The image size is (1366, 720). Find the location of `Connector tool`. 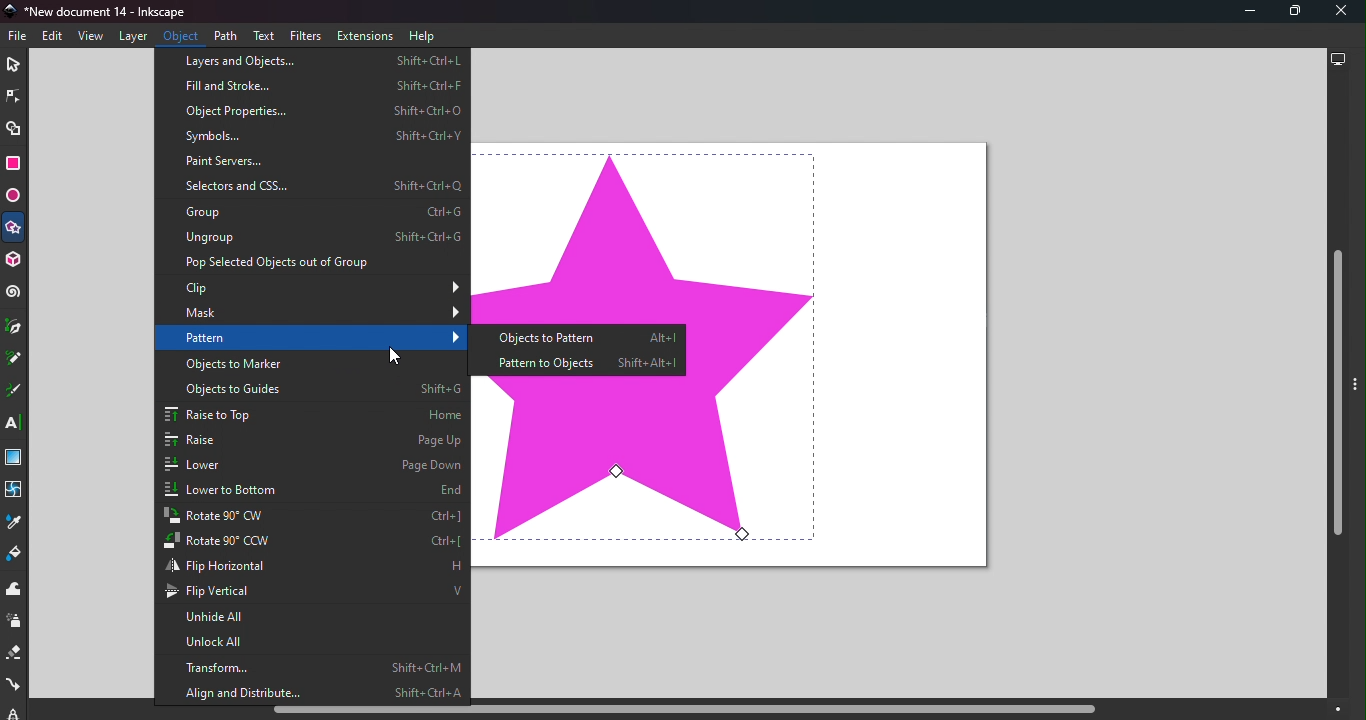

Connector tool is located at coordinates (13, 687).